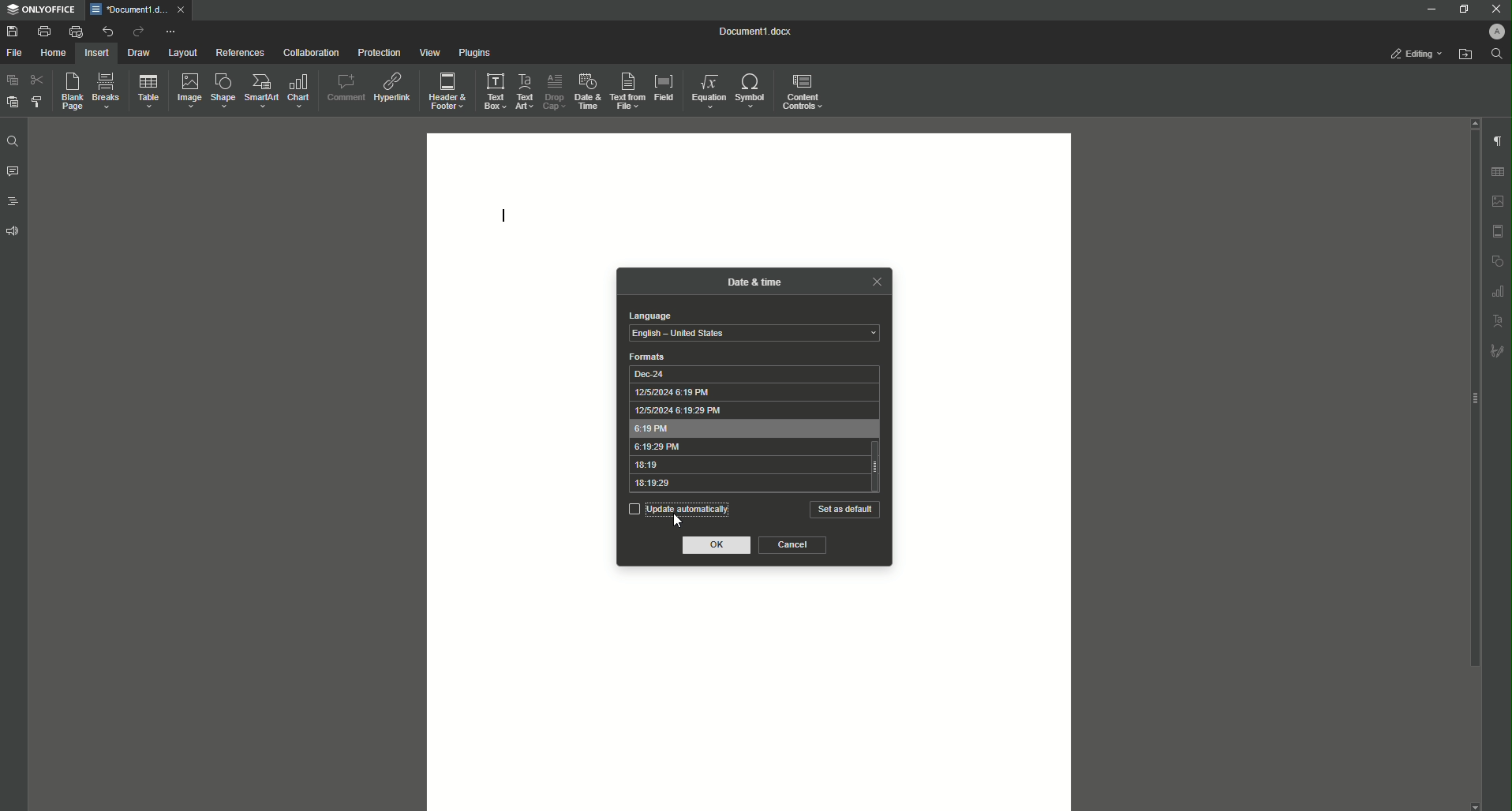  I want to click on File, so click(17, 53).